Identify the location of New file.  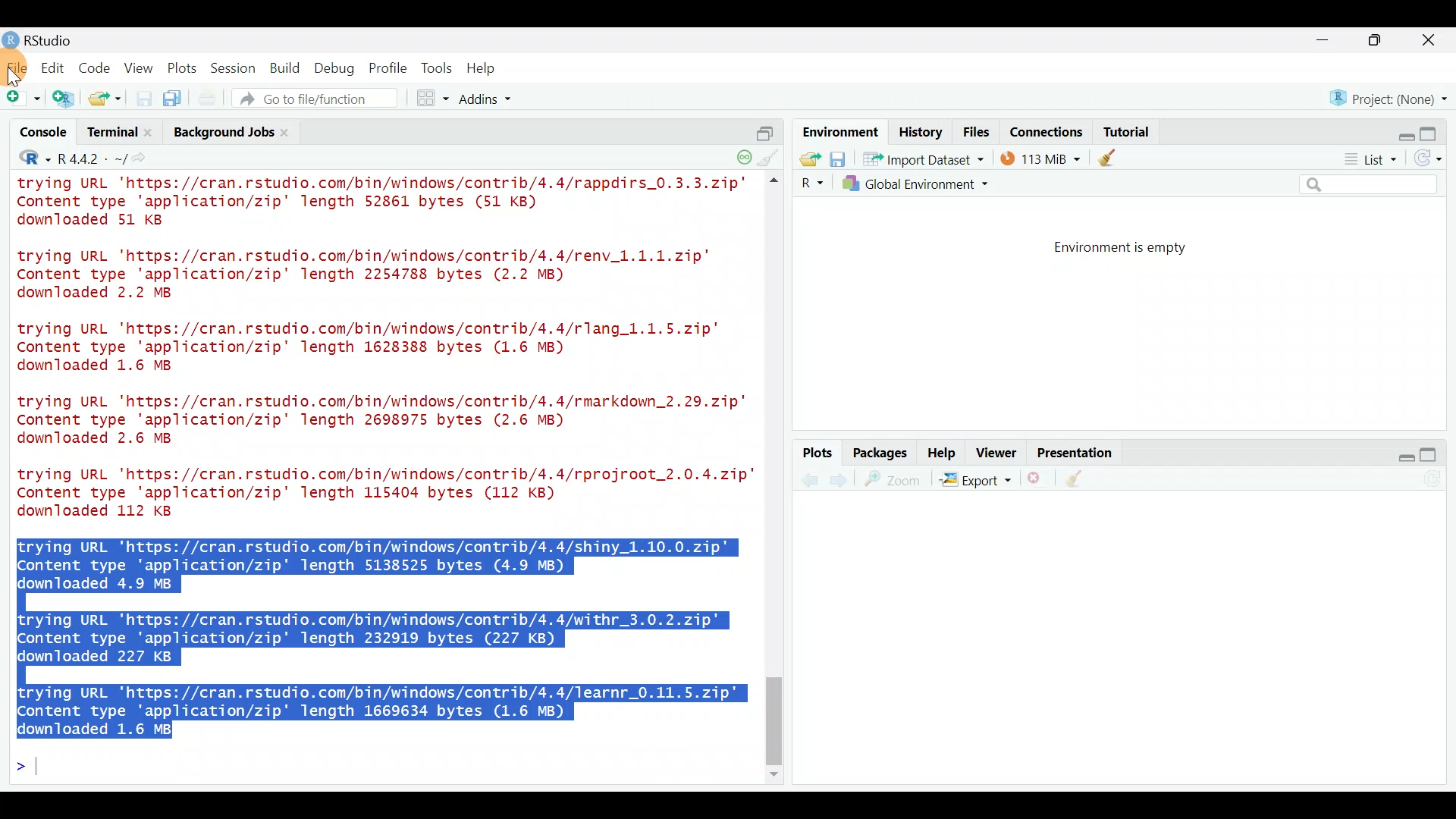
(22, 99).